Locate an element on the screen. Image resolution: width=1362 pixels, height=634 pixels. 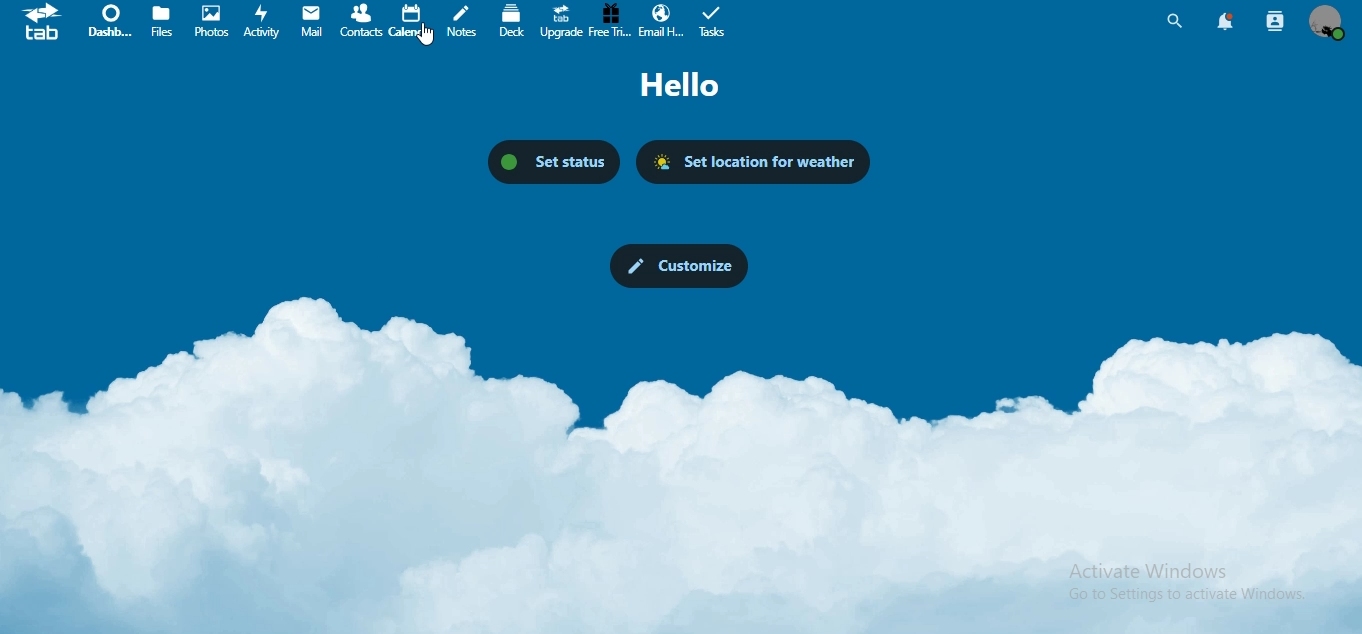
photos is located at coordinates (212, 21).